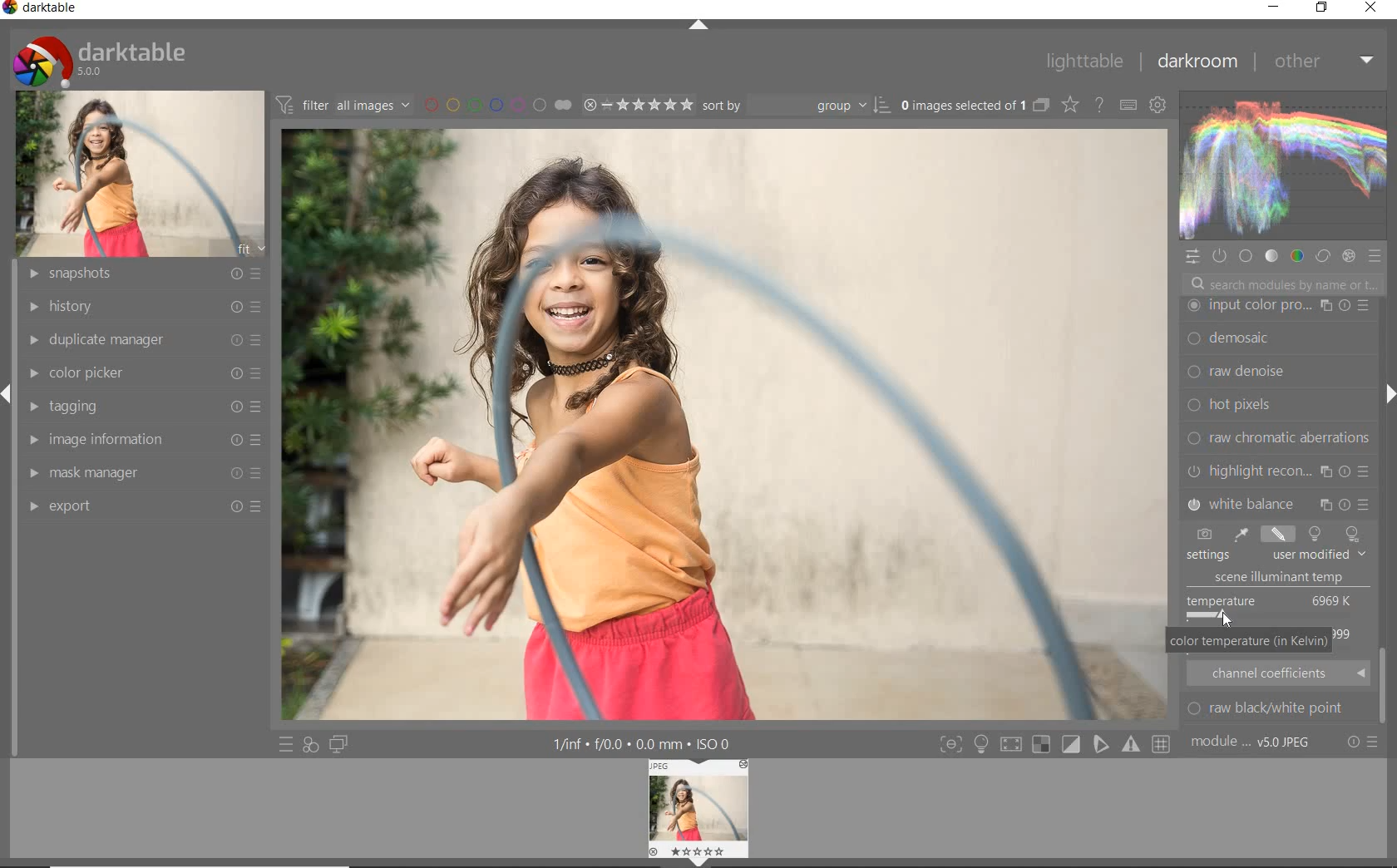  What do you see at coordinates (796, 104) in the screenshot?
I see `sort` at bounding box center [796, 104].